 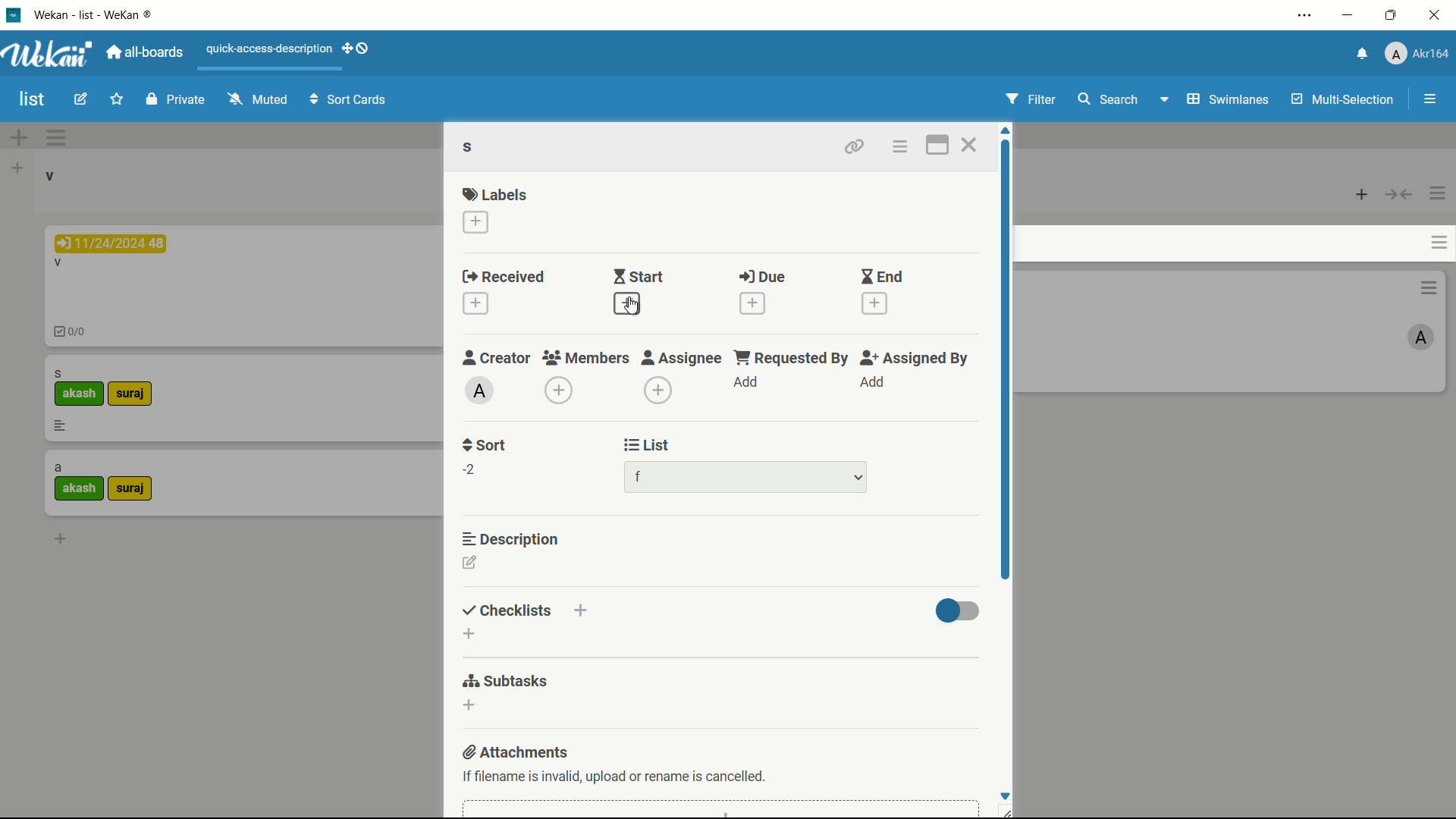 What do you see at coordinates (495, 194) in the screenshot?
I see `labels` at bounding box center [495, 194].